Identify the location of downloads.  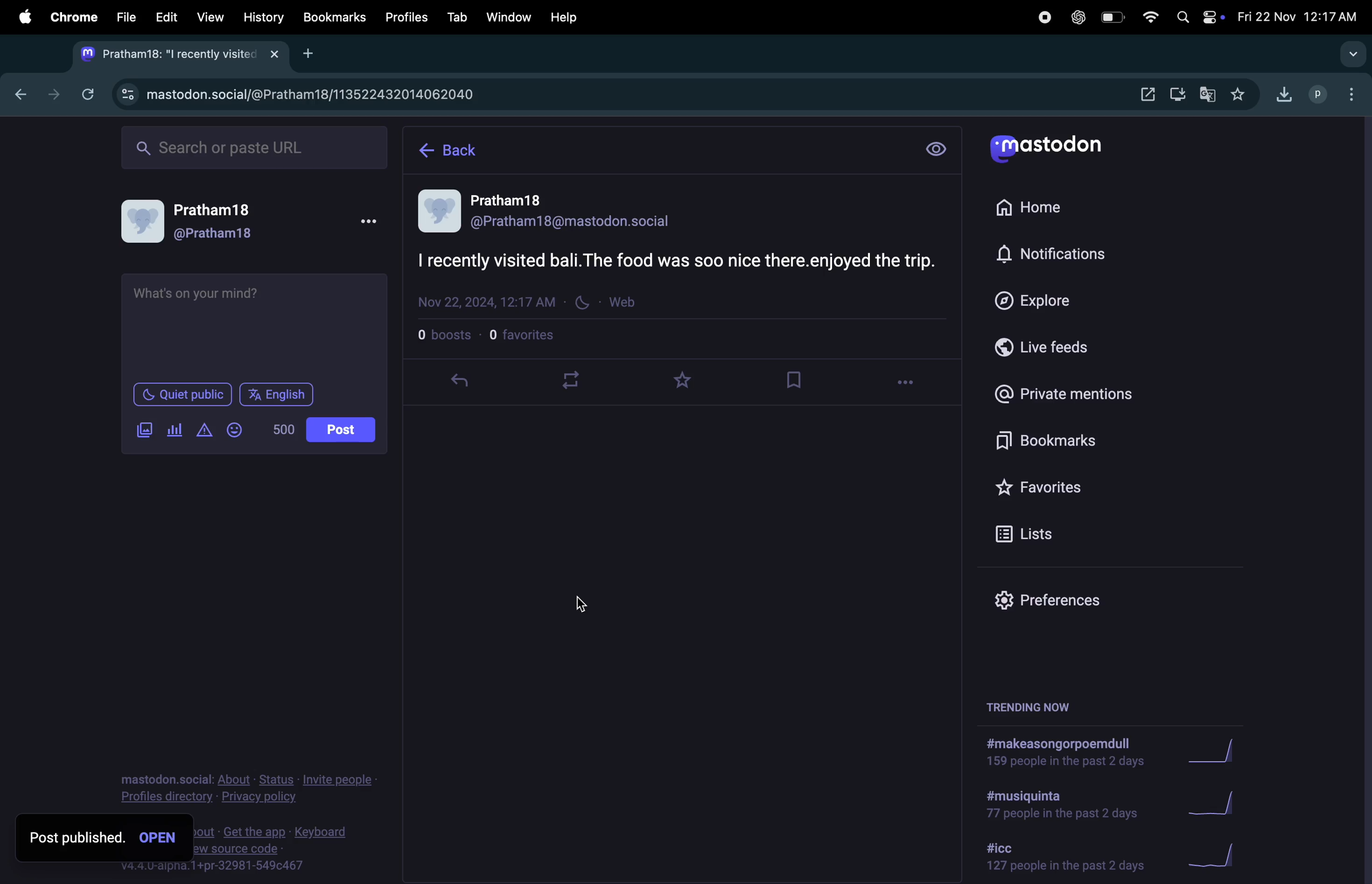
(1280, 97).